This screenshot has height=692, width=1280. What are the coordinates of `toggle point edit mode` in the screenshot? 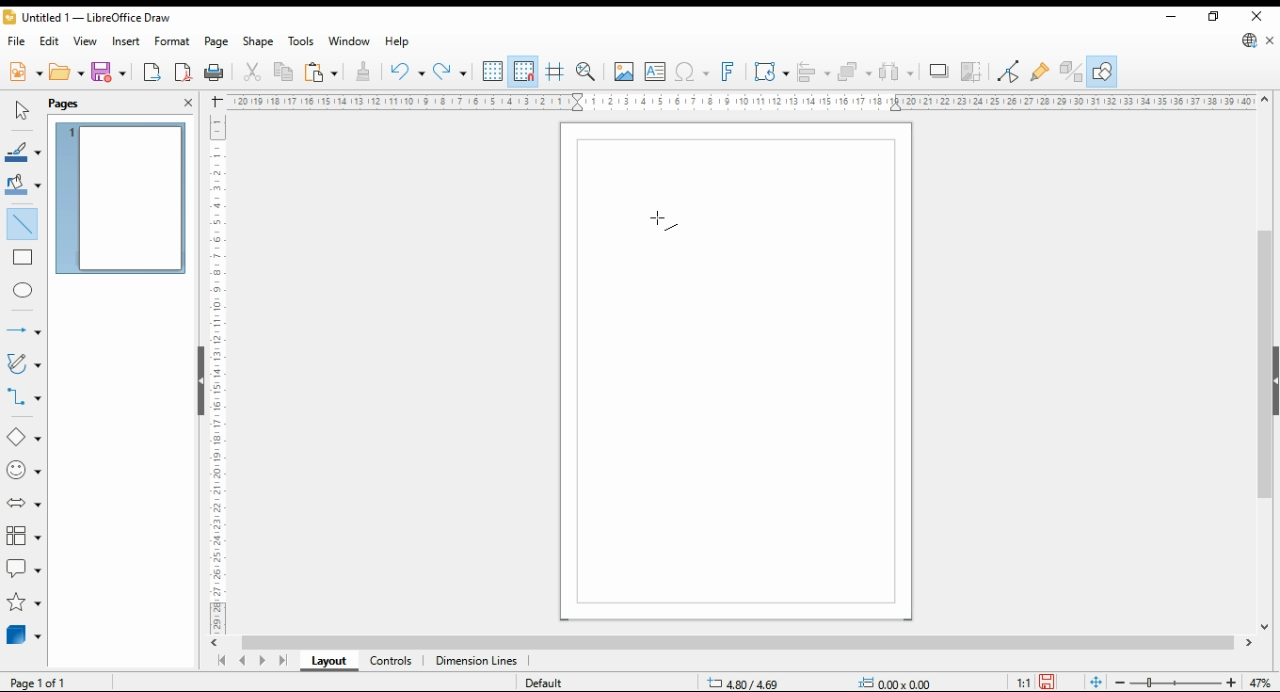 It's located at (1010, 71).